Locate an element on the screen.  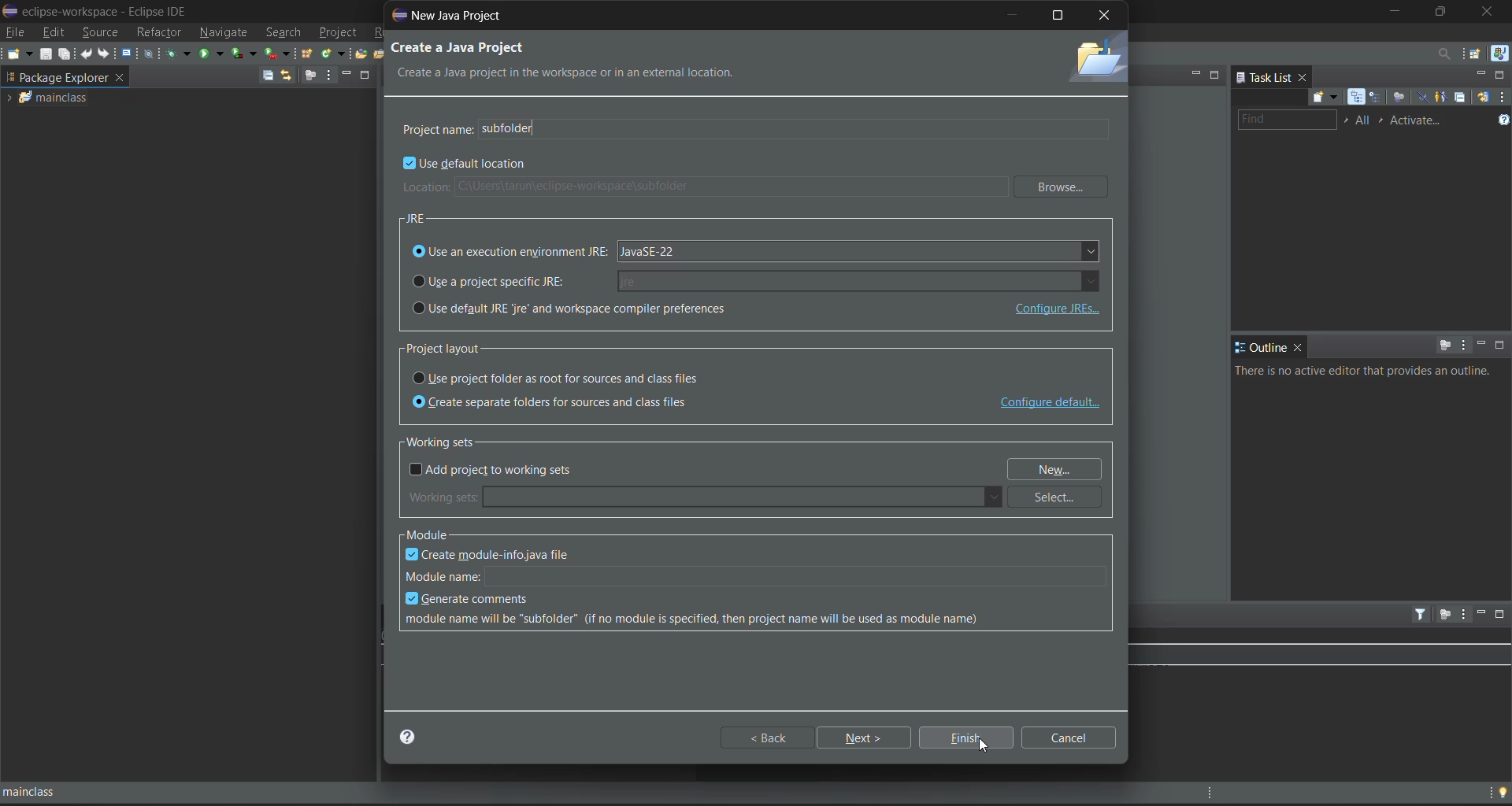
use a project specific jre is located at coordinates (757, 279).